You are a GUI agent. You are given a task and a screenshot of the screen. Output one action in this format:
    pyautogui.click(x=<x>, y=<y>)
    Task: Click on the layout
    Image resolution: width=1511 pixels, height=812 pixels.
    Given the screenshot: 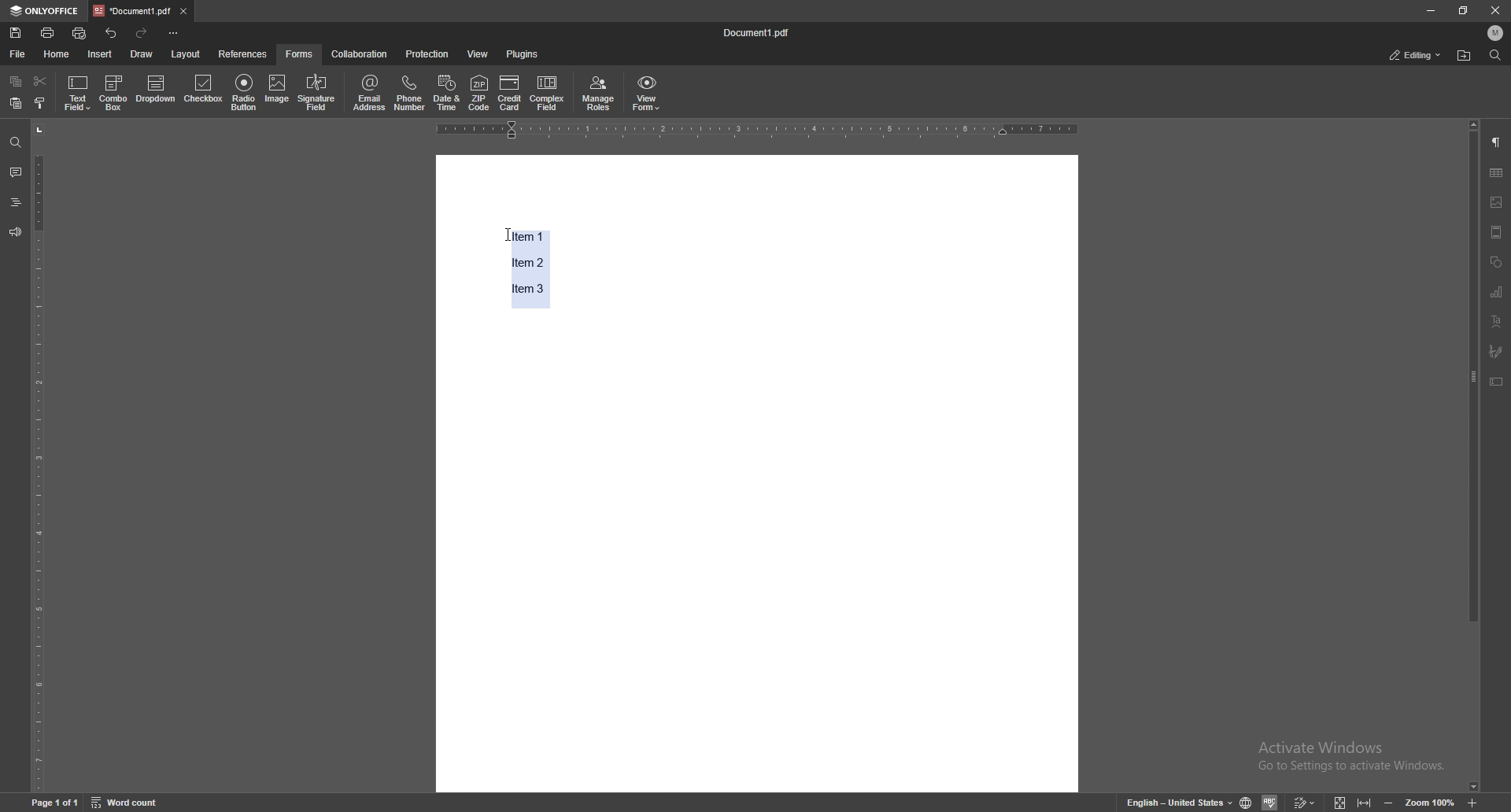 What is the action you would take?
    pyautogui.click(x=186, y=54)
    